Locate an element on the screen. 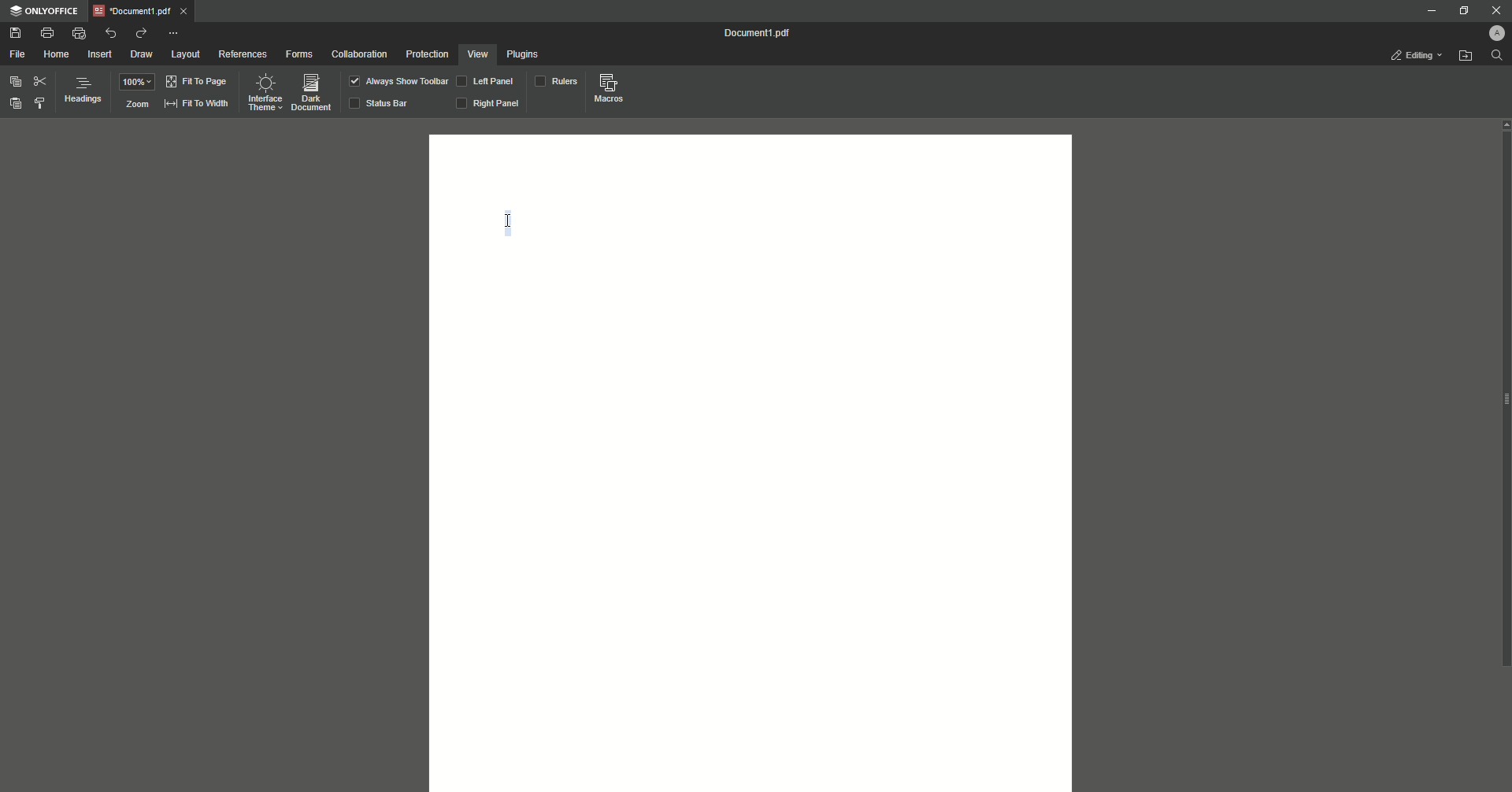 The width and height of the screenshot is (1512, 792). Show Toolbar is located at coordinates (398, 80).